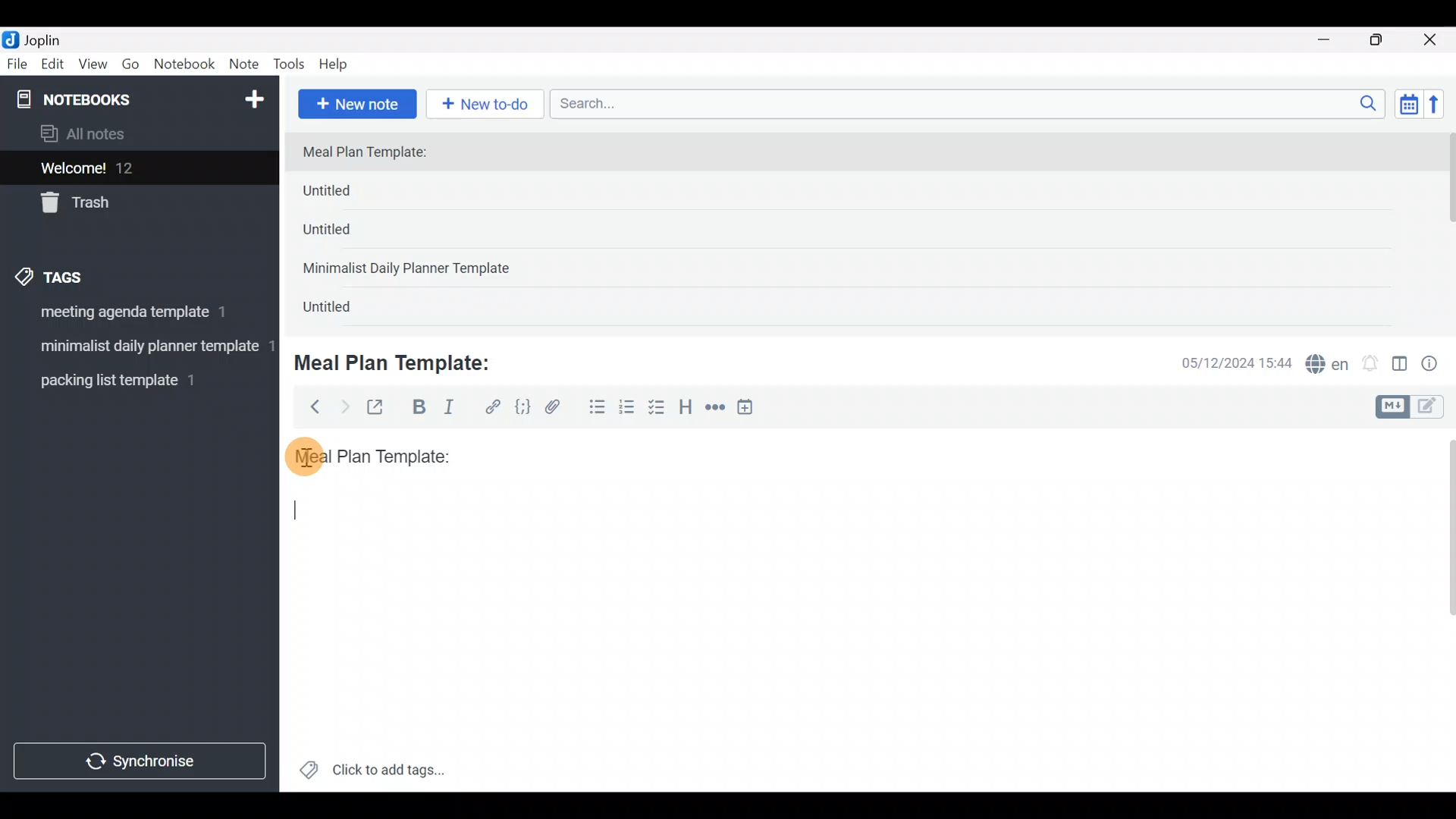 The width and height of the screenshot is (1456, 819). What do you see at coordinates (142, 761) in the screenshot?
I see `Synchronize` at bounding box center [142, 761].